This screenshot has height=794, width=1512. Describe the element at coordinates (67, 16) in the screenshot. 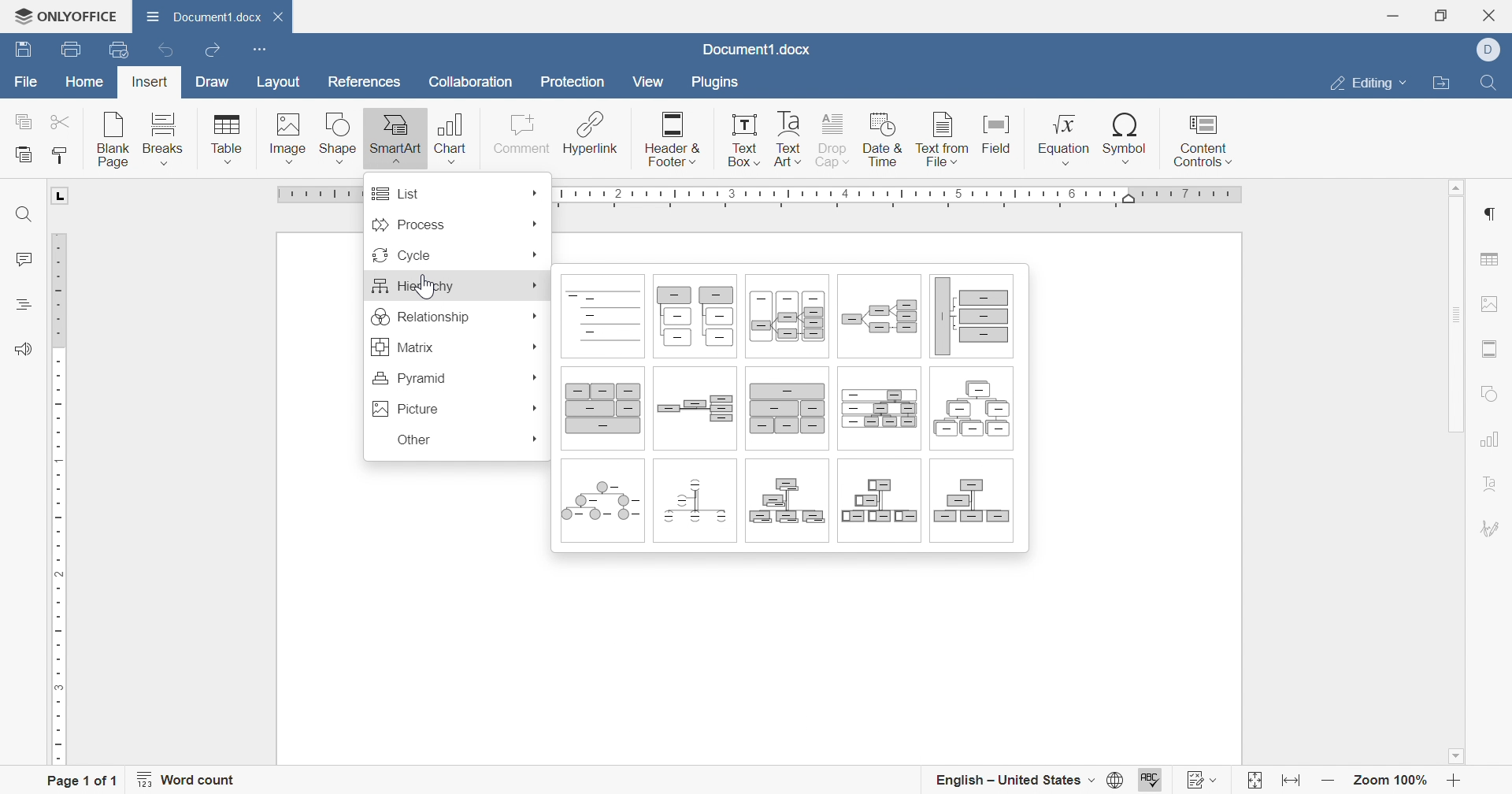

I see `ONLYOFFICE` at that location.